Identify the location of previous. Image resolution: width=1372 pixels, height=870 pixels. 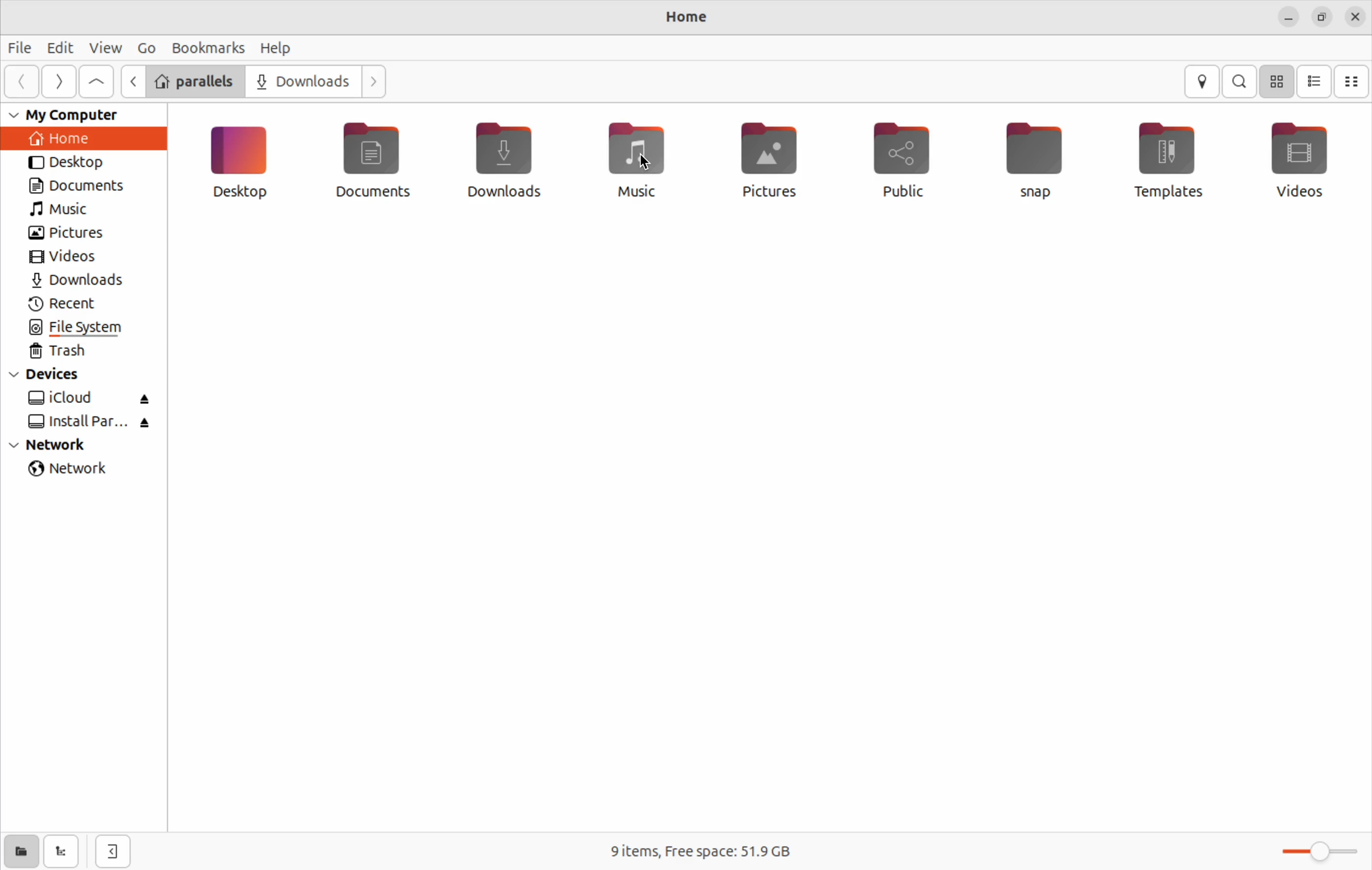
(19, 81).